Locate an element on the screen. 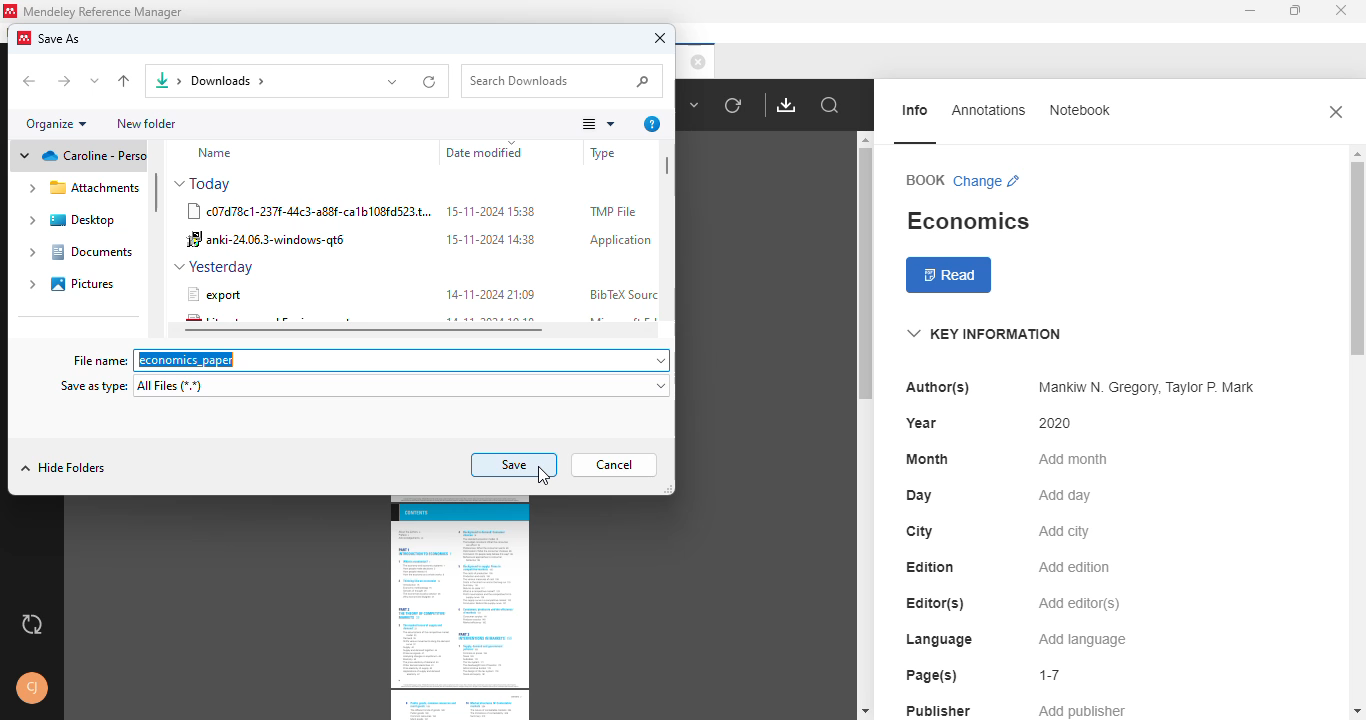  read is located at coordinates (950, 276).